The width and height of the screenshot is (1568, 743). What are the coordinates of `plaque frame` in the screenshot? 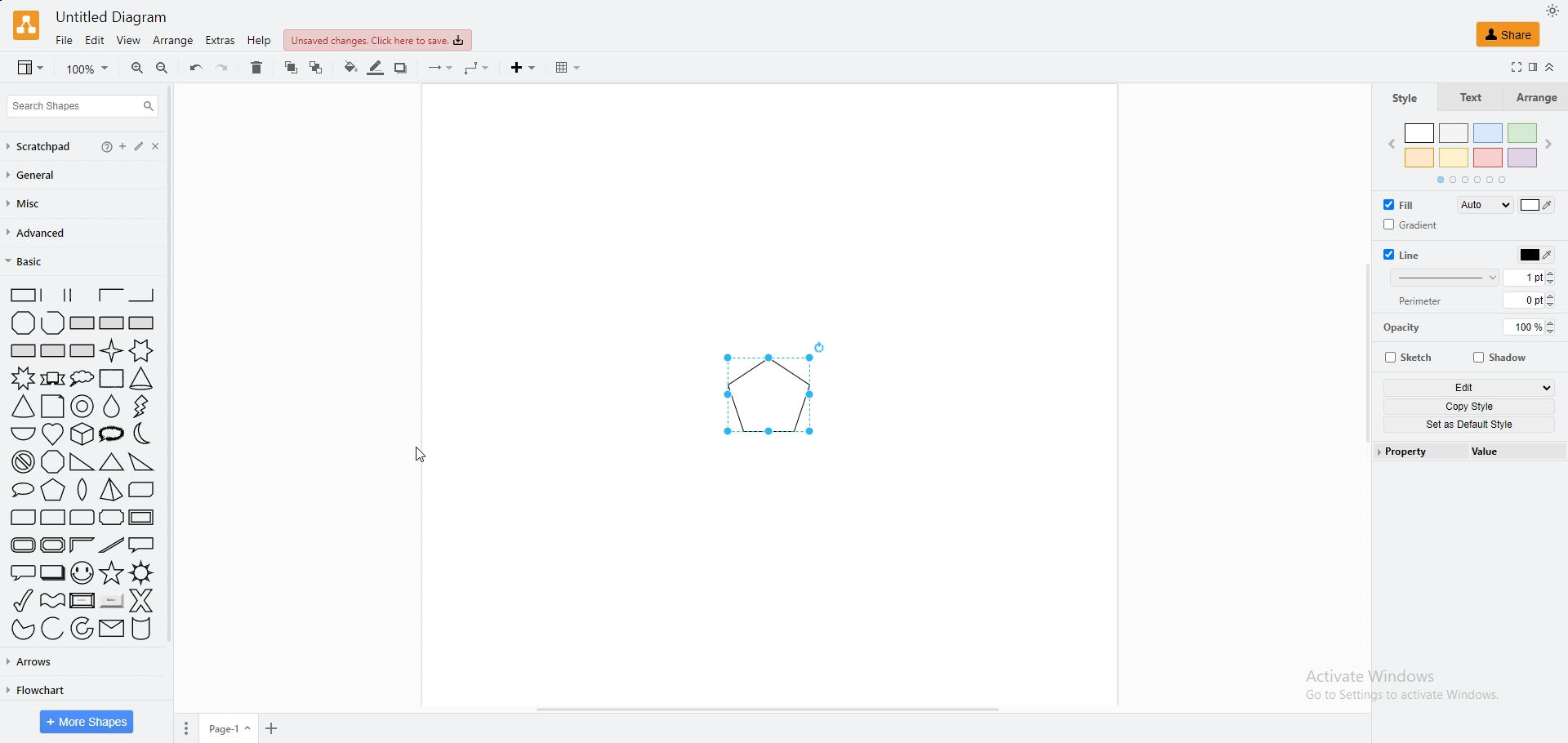 It's located at (52, 545).